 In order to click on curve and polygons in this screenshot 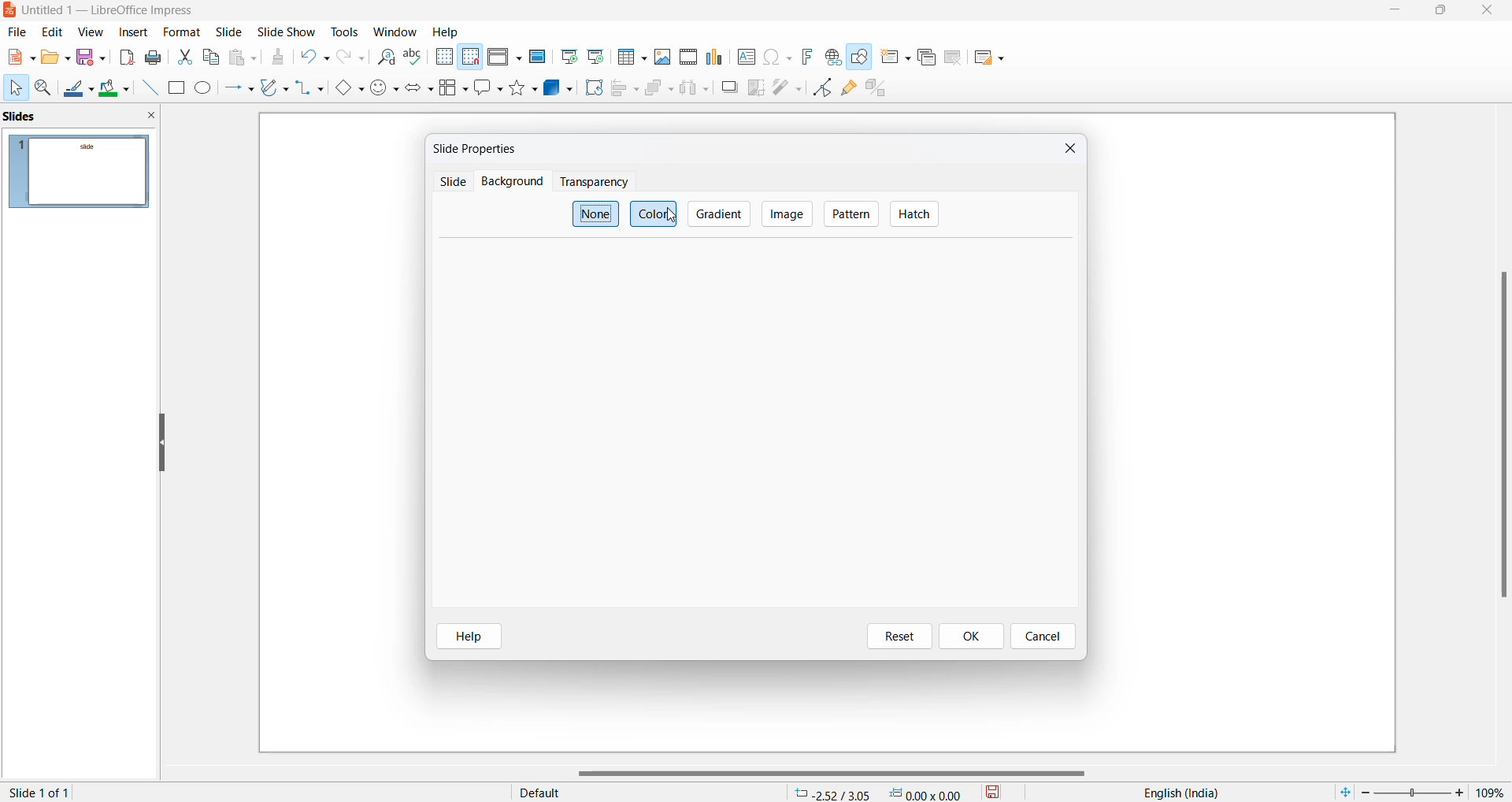, I will do `click(275, 89)`.